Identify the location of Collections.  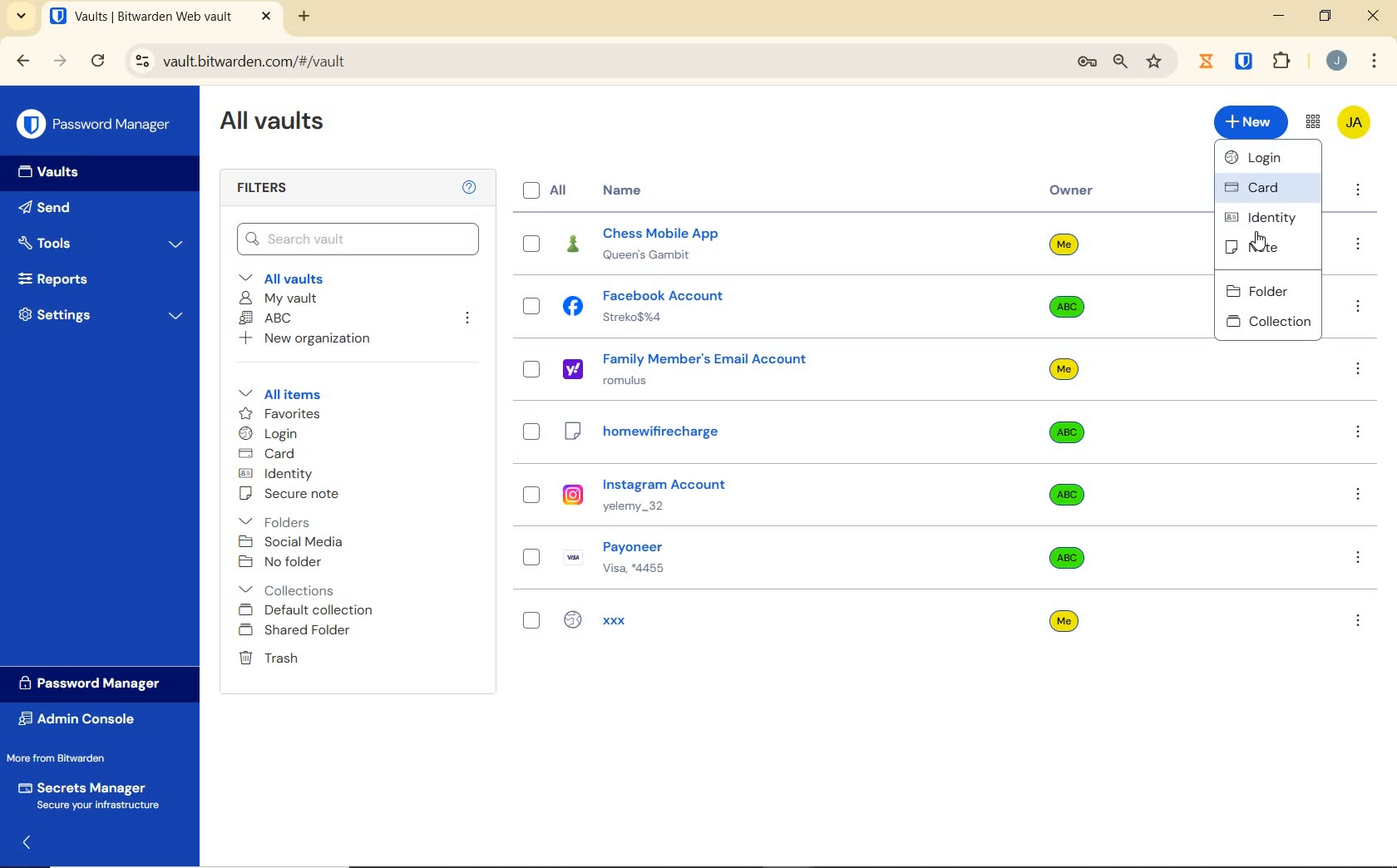
(290, 587).